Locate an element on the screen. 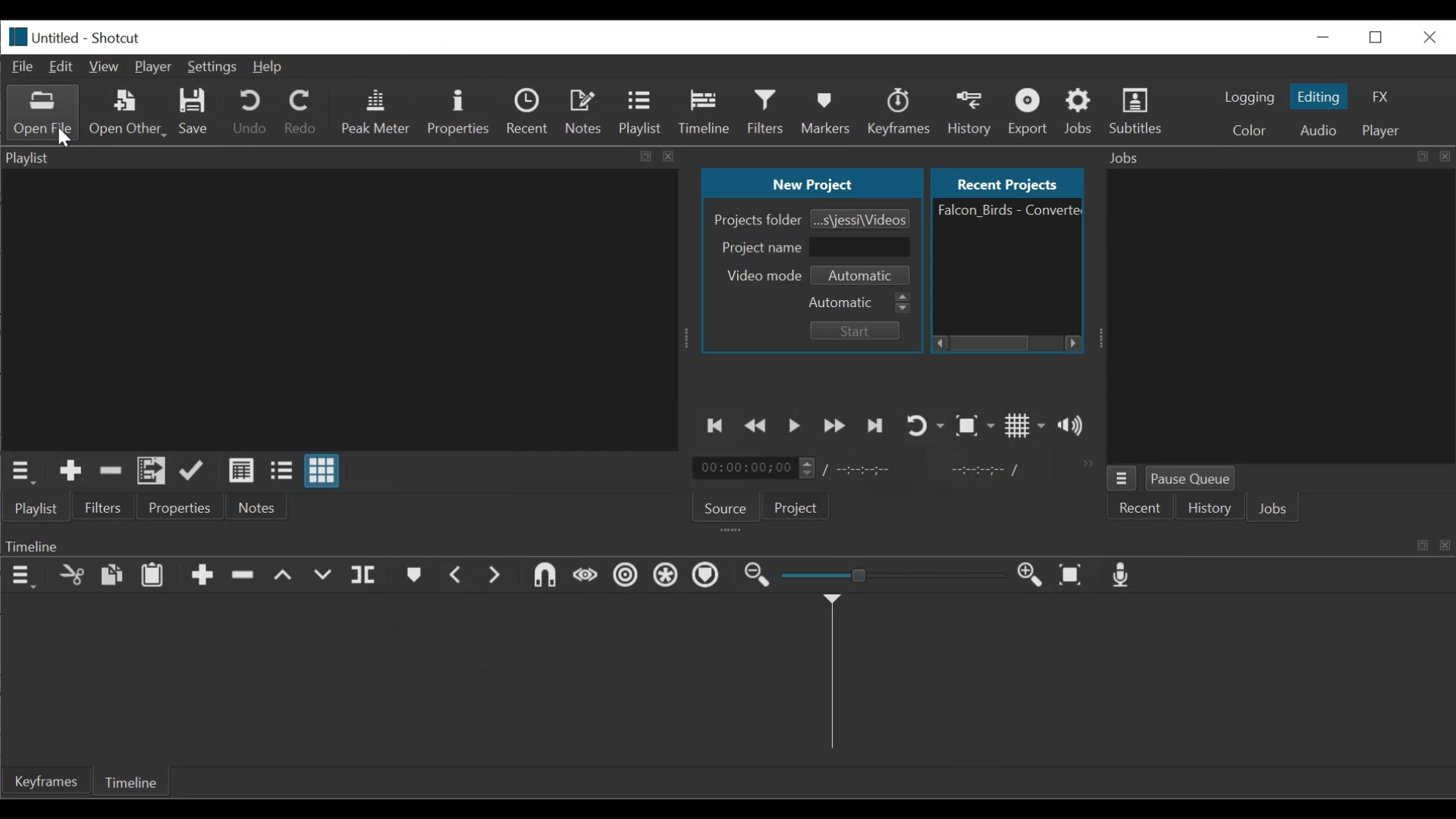  Subtitles is located at coordinates (1141, 114).